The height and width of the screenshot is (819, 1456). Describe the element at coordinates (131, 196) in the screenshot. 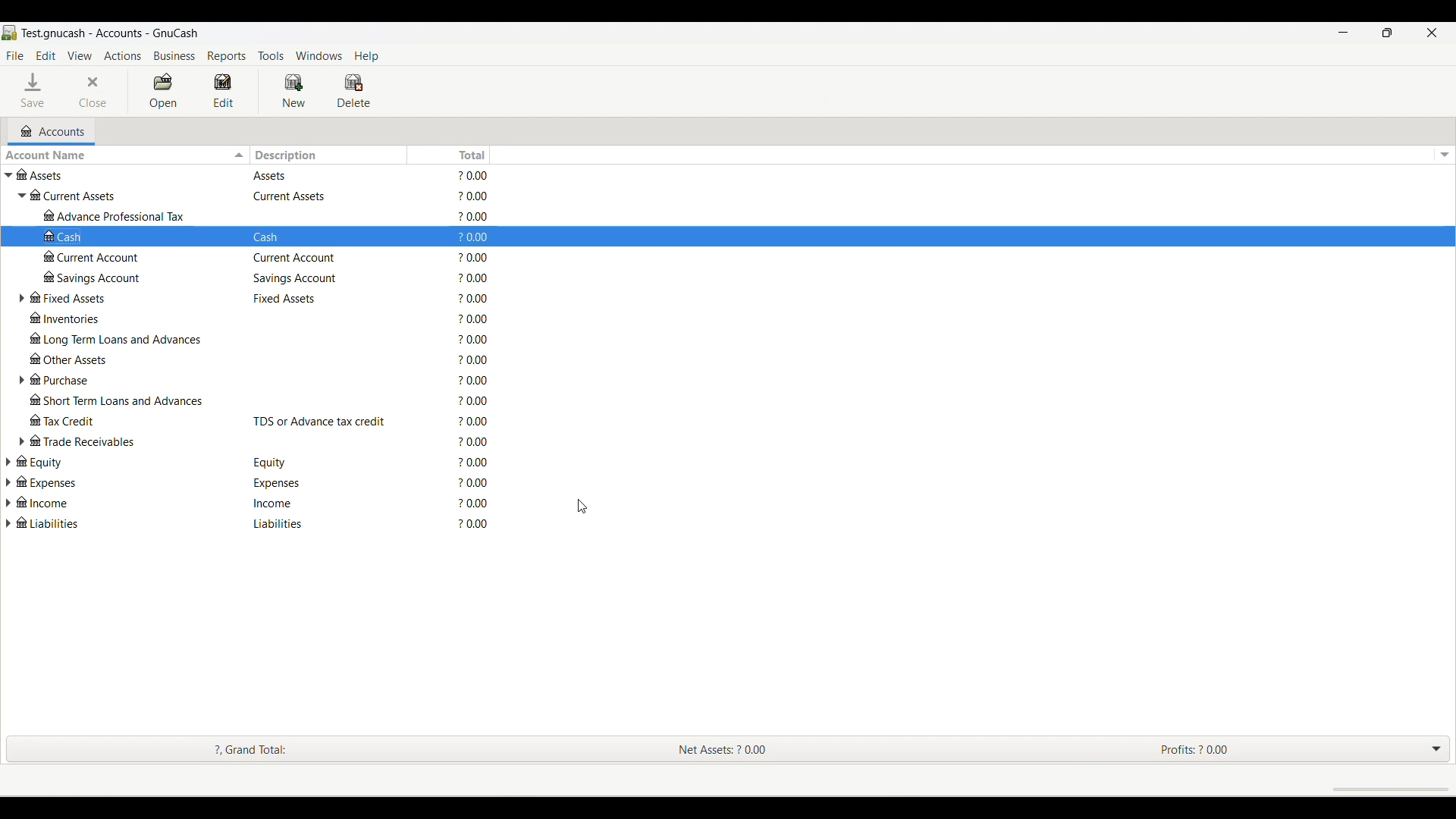

I see `Current Assets` at that location.